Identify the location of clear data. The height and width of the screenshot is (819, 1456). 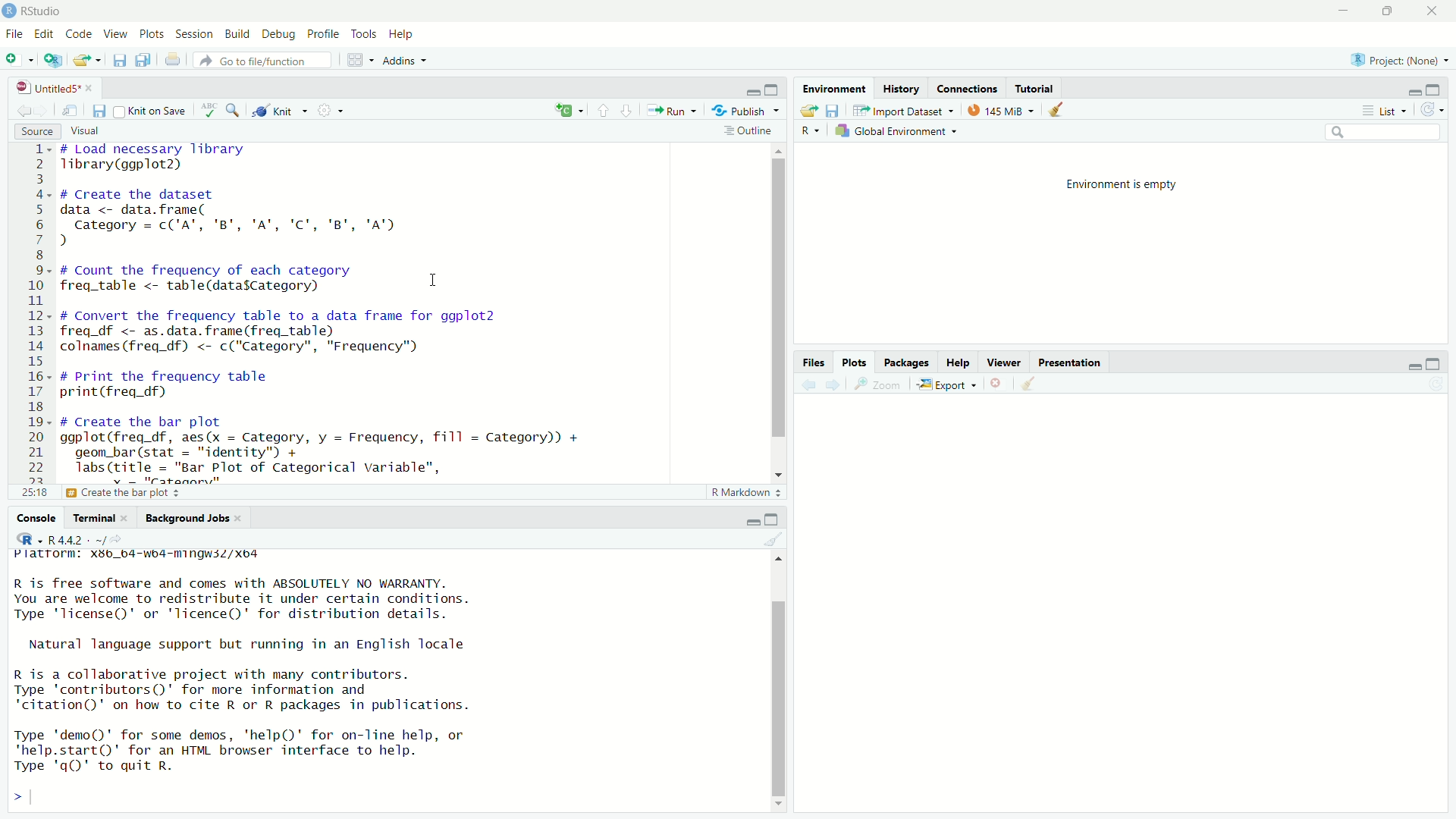
(1058, 109).